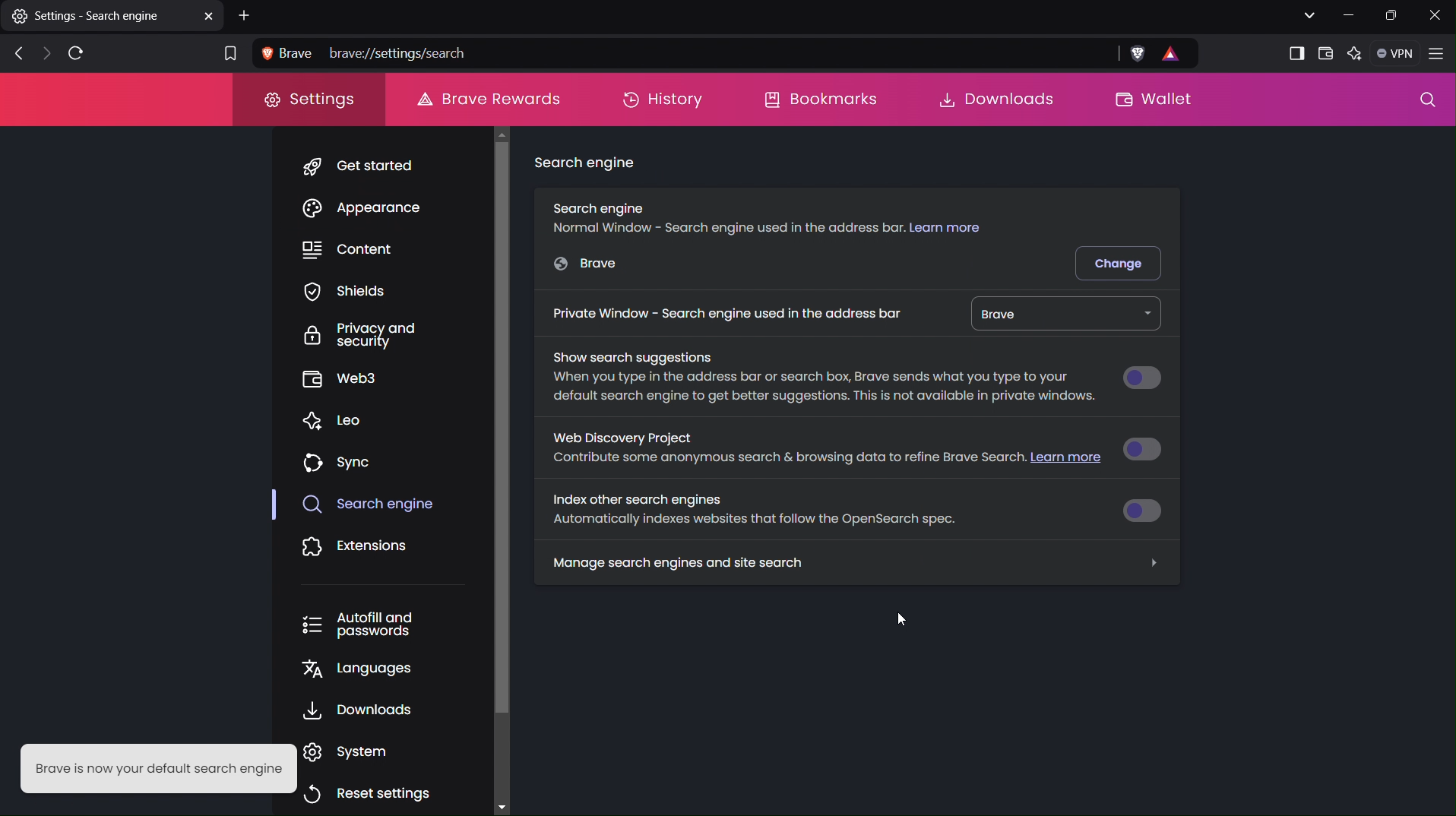  I want to click on Brave, so click(1062, 314).